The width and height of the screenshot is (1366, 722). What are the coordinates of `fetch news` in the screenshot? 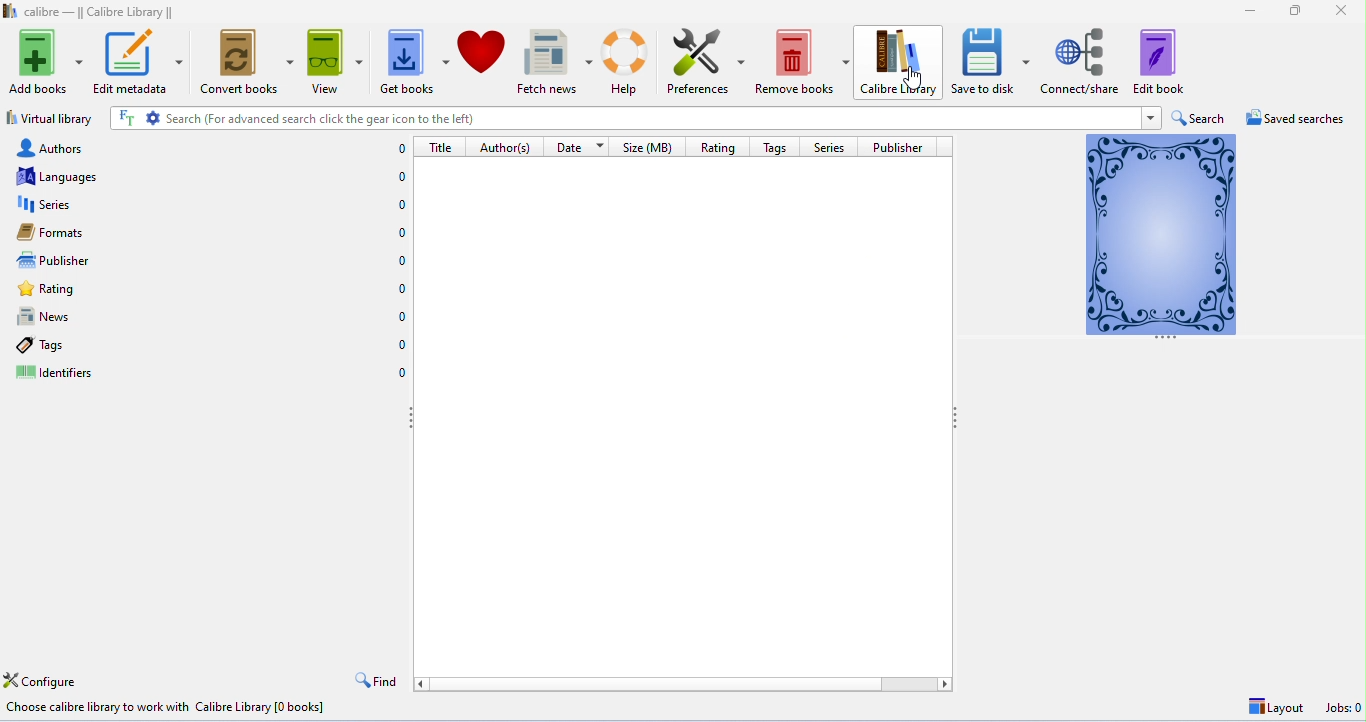 It's located at (555, 60).